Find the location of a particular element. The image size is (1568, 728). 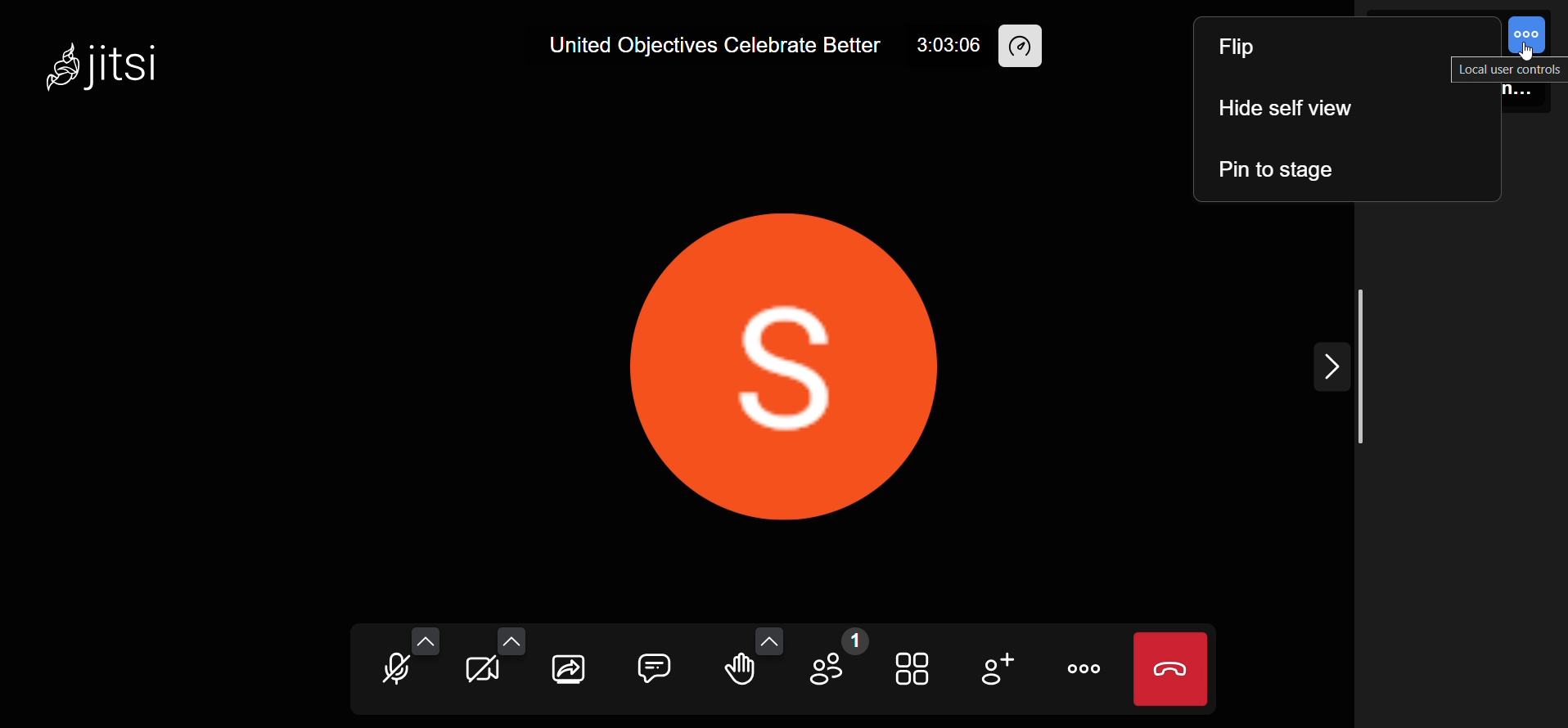

performance setting is located at coordinates (1022, 47).